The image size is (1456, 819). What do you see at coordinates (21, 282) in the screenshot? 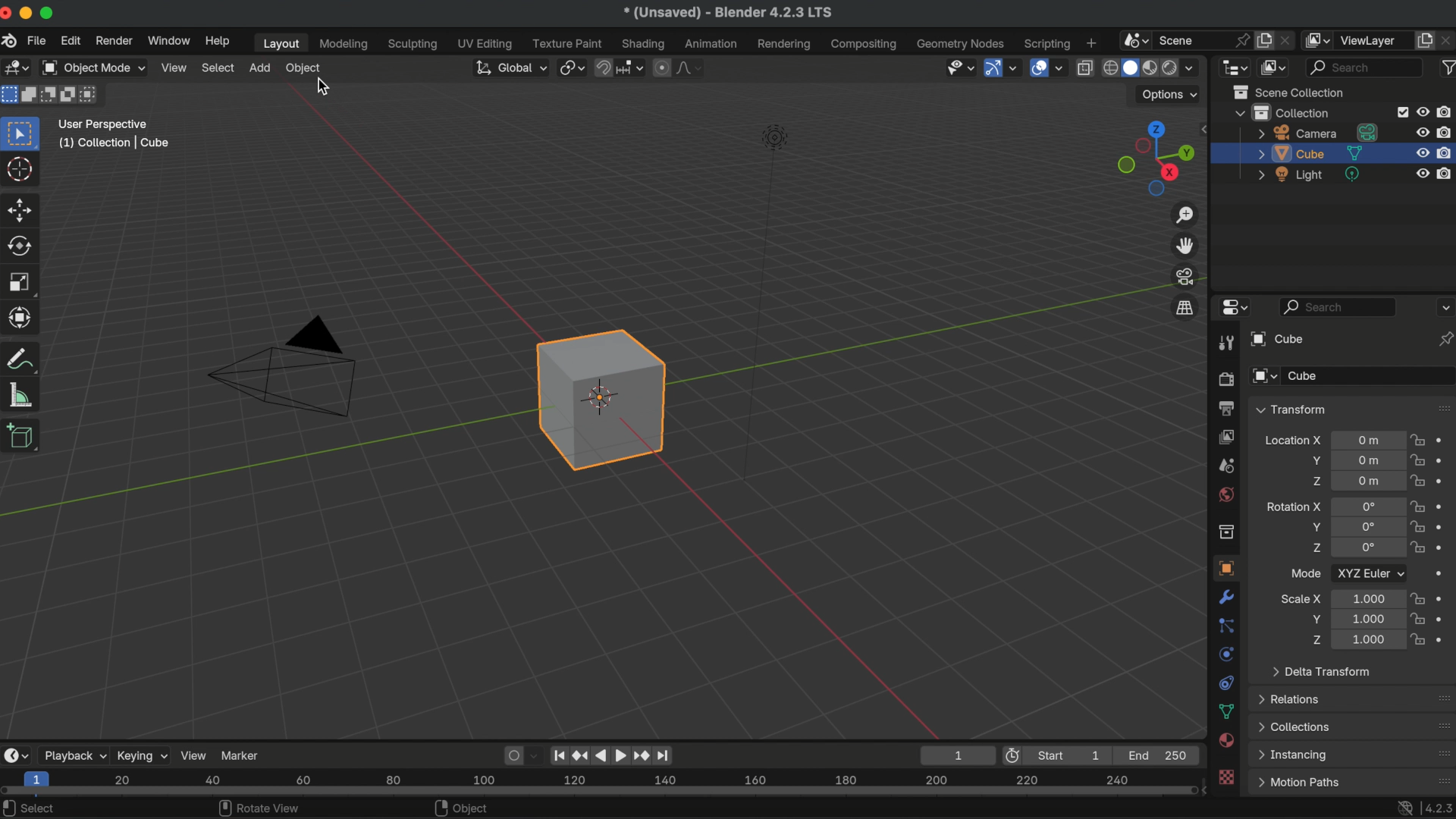
I see `scale` at bounding box center [21, 282].